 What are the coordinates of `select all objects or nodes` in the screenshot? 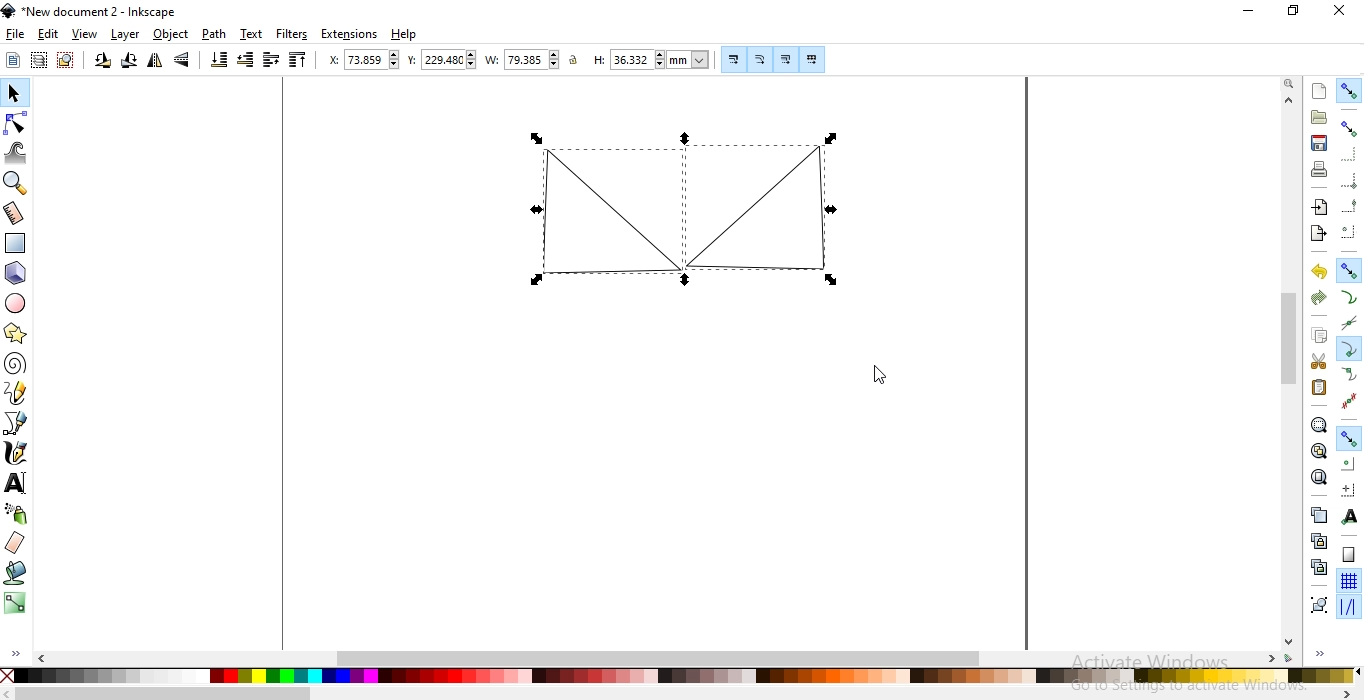 It's located at (12, 60).